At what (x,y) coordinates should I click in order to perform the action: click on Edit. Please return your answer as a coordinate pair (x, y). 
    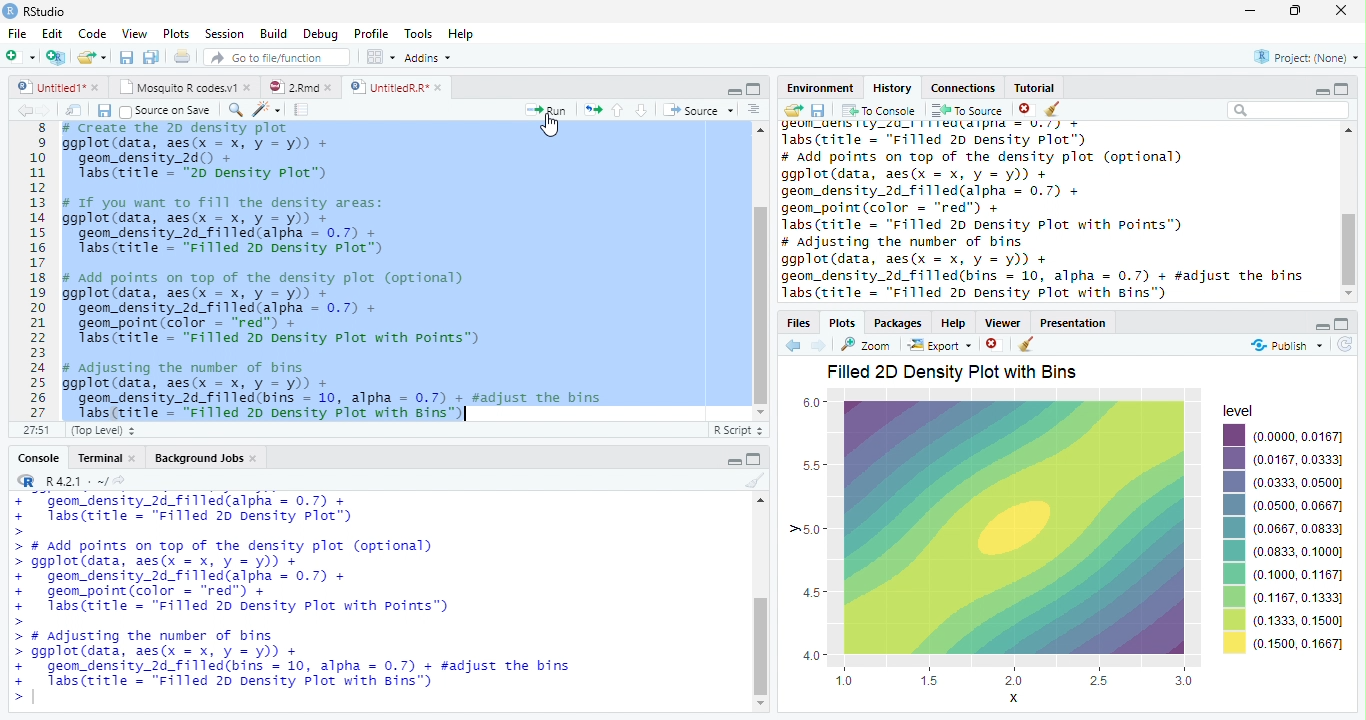
    Looking at the image, I should click on (52, 34).